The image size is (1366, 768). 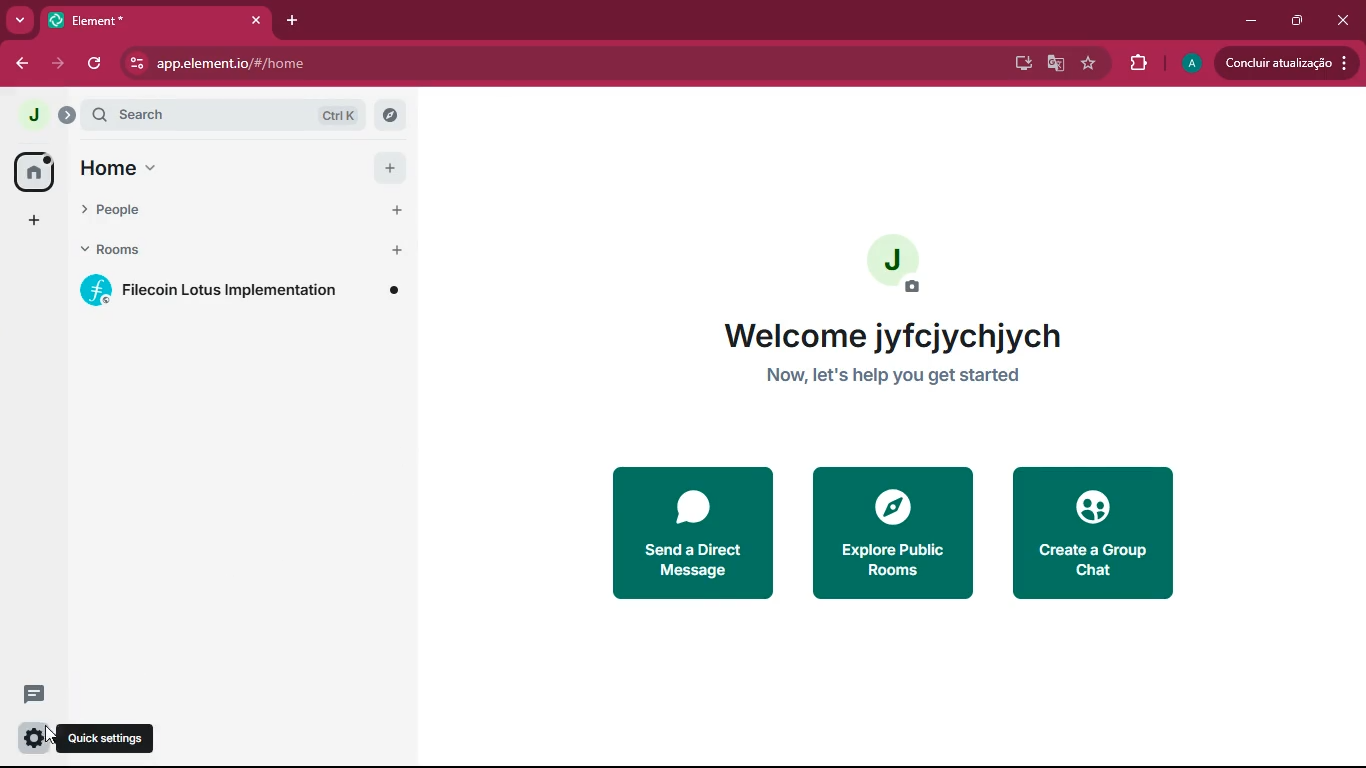 What do you see at coordinates (896, 375) in the screenshot?
I see `now, let's help you get started` at bounding box center [896, 375].